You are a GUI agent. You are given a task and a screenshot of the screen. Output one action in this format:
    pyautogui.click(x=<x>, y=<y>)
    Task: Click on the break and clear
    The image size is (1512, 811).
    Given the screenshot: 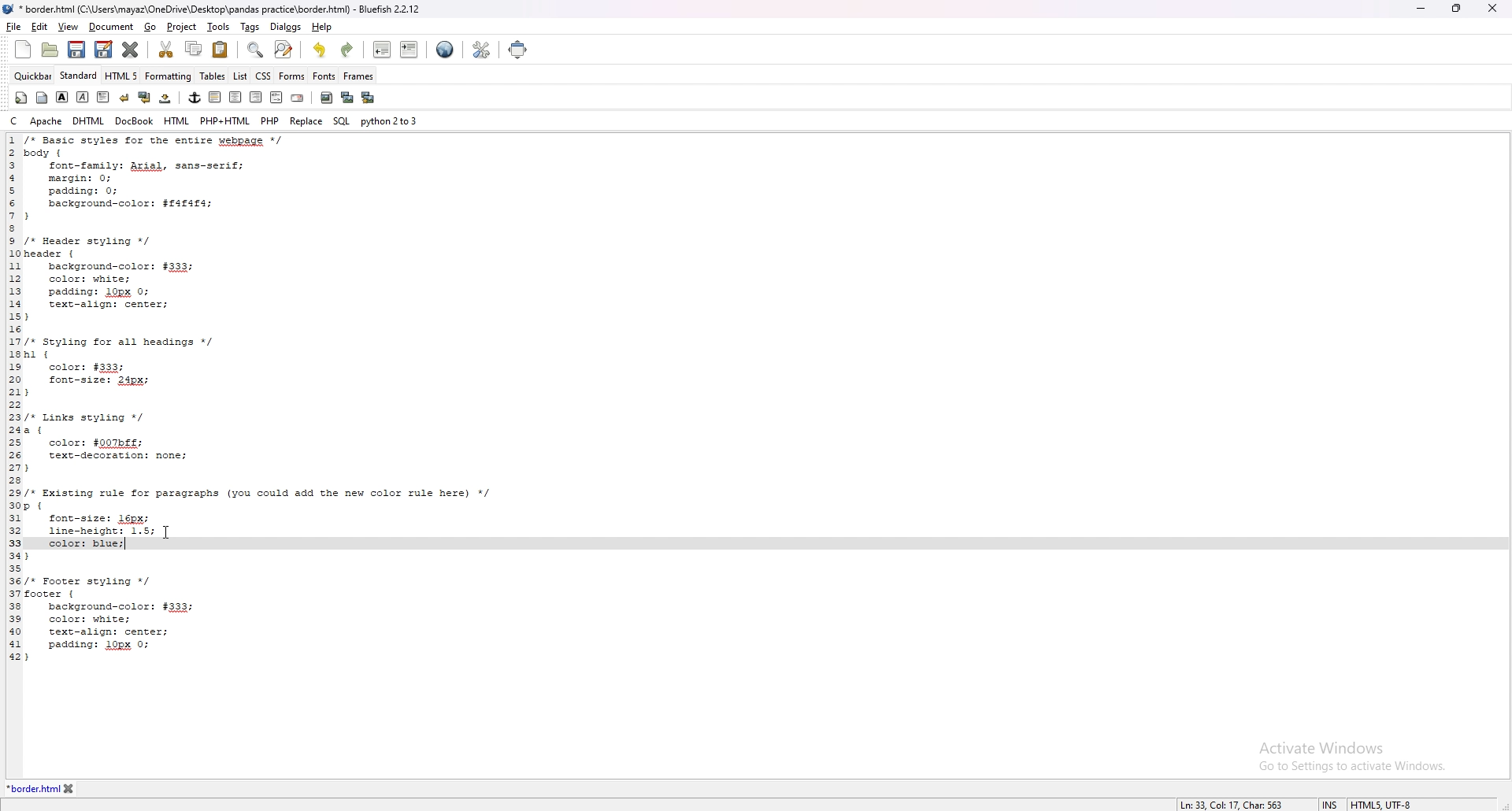 What is the action you would take?
    pyautogui.click(x=145, y=97)
    